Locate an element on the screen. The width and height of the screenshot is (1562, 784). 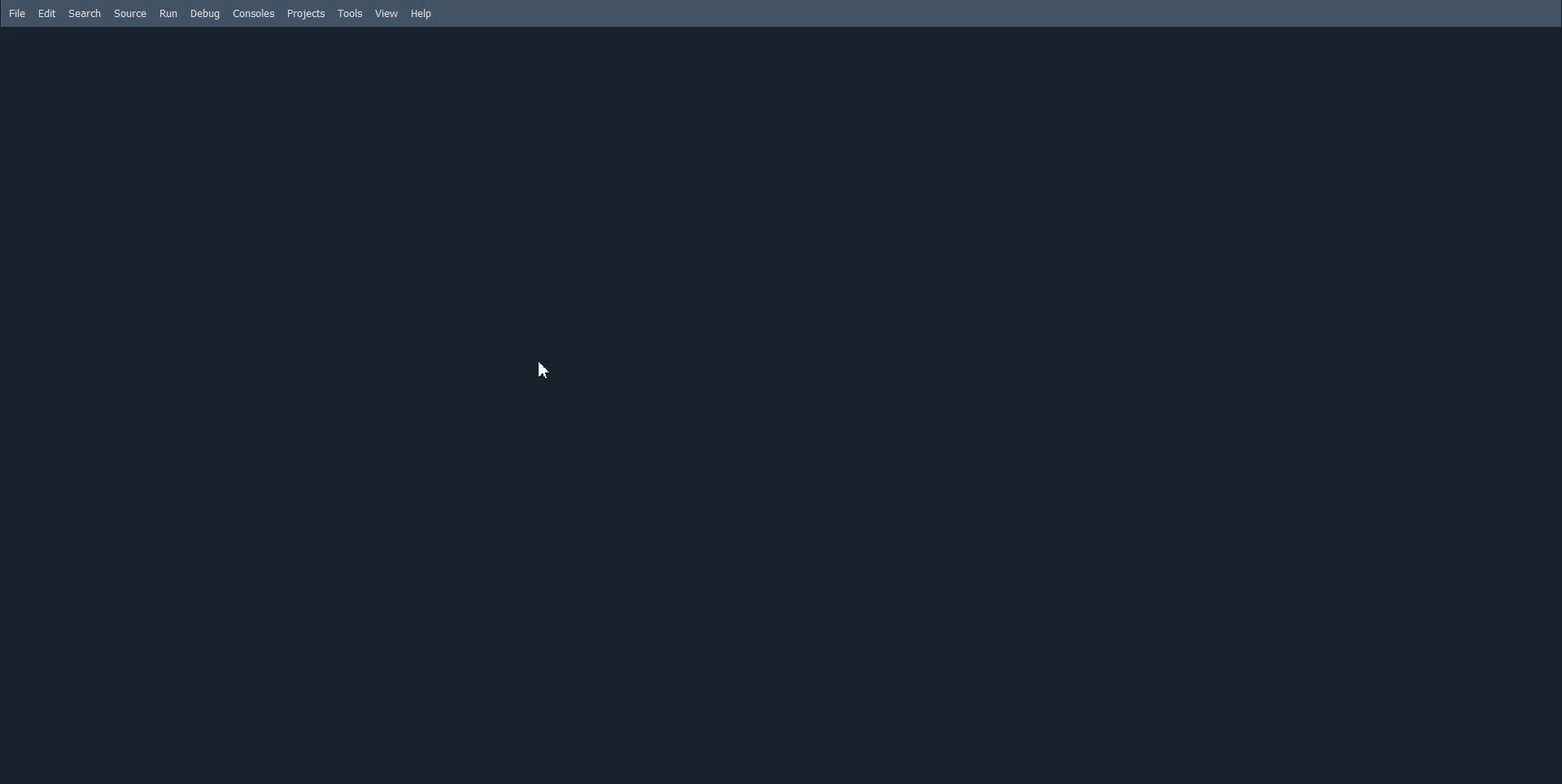
Projects is located at coordinates (307, 15).